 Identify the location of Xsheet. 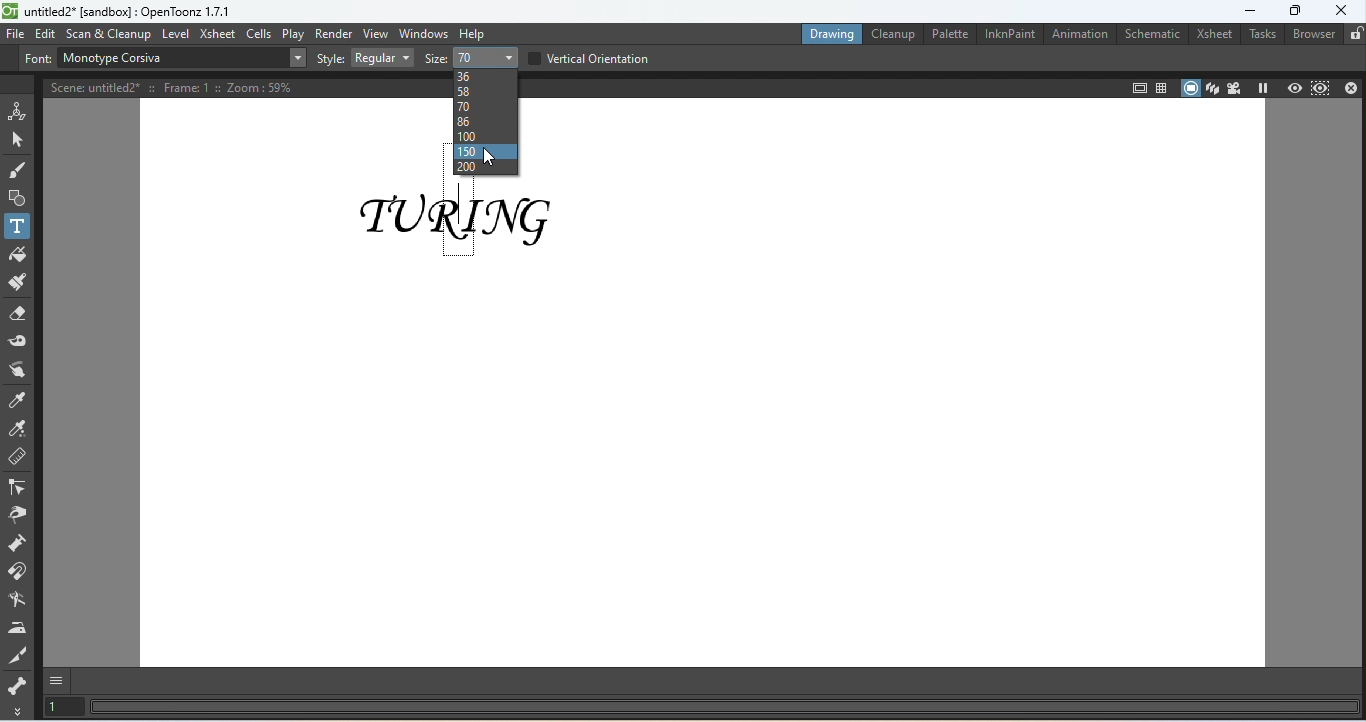
(1212, 34).